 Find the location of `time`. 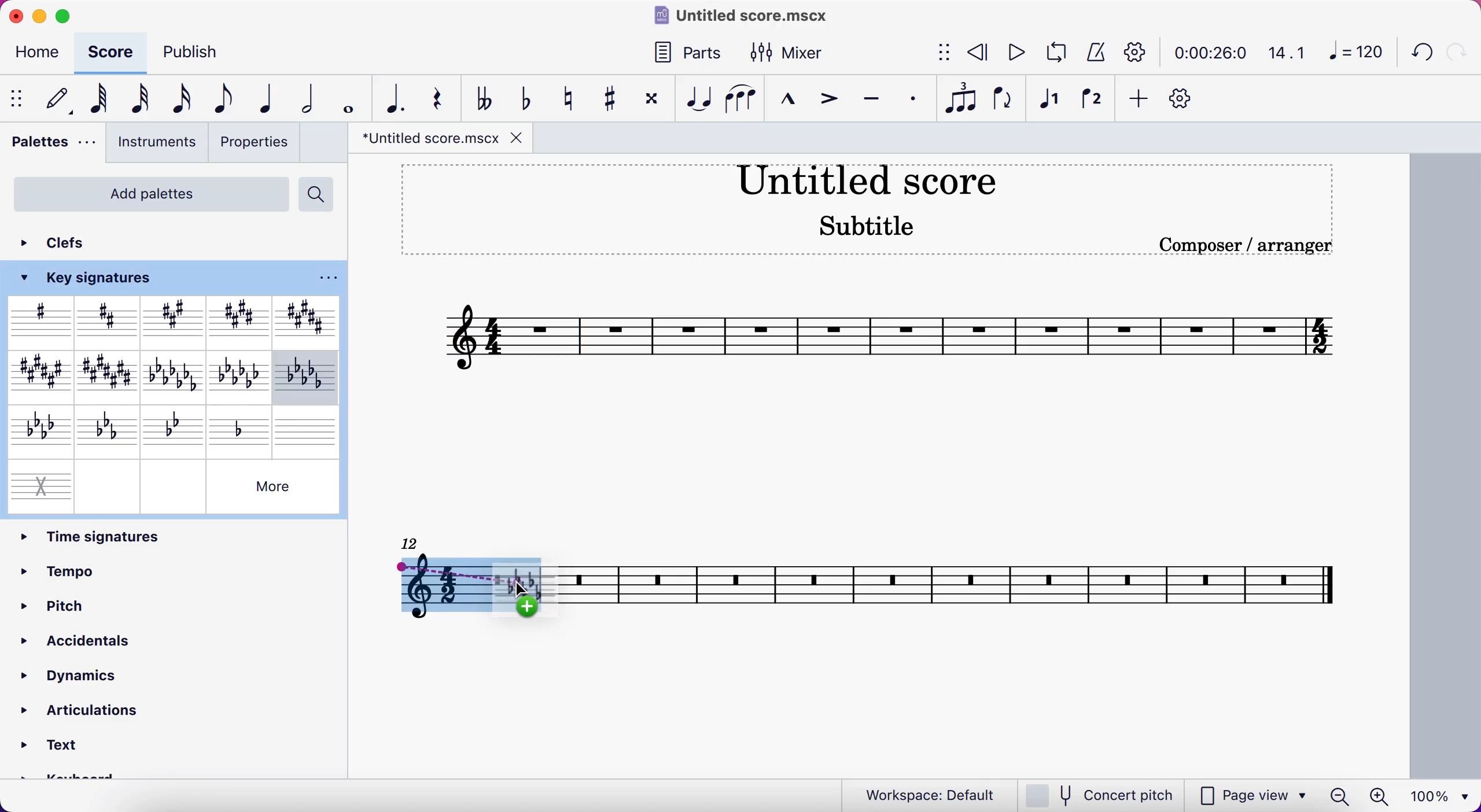

time is located at coordinates (1206, 53).